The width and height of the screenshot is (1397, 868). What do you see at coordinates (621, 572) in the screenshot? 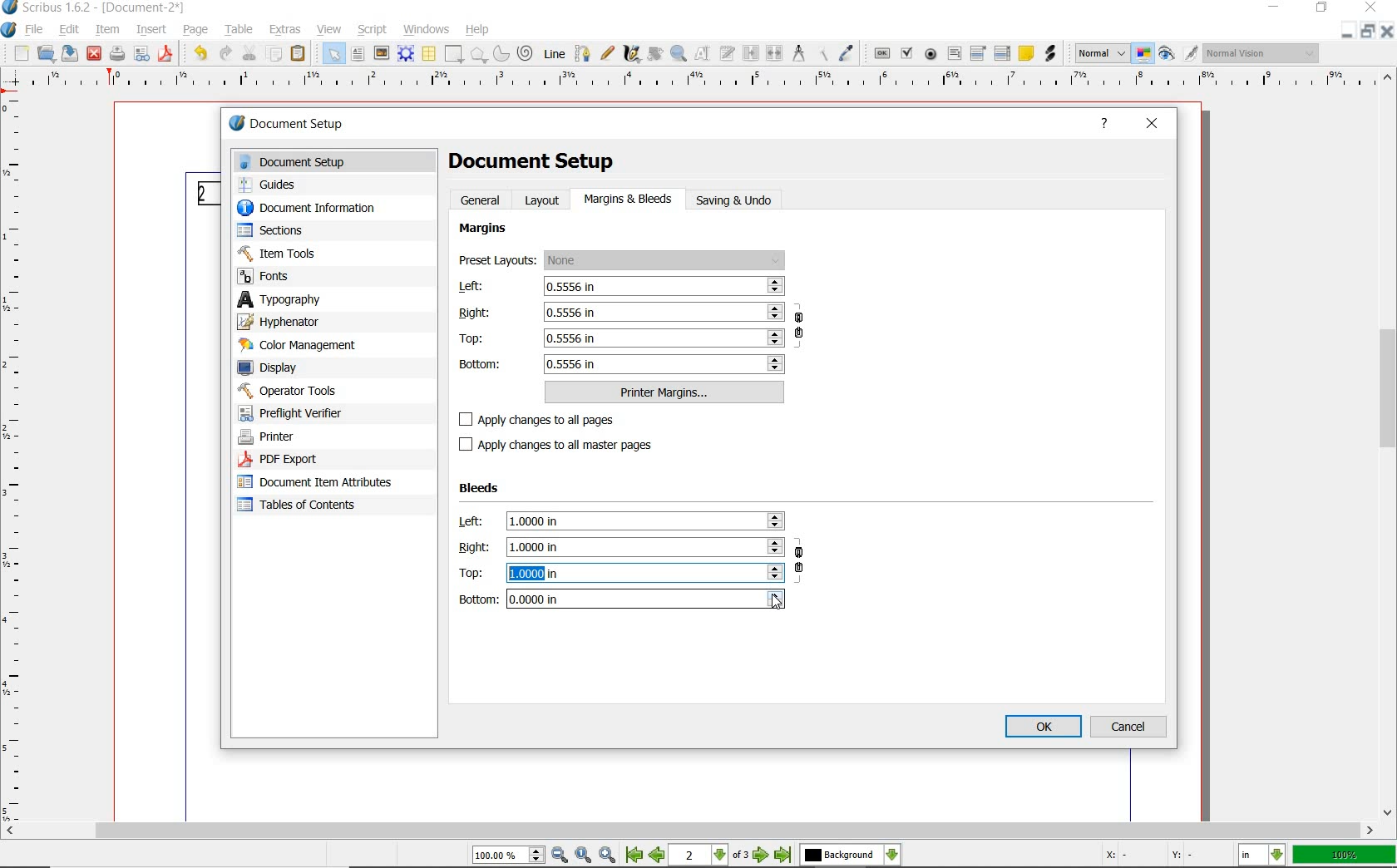
I see `Top: 1.0000 in` at bounding box center [621, 572].